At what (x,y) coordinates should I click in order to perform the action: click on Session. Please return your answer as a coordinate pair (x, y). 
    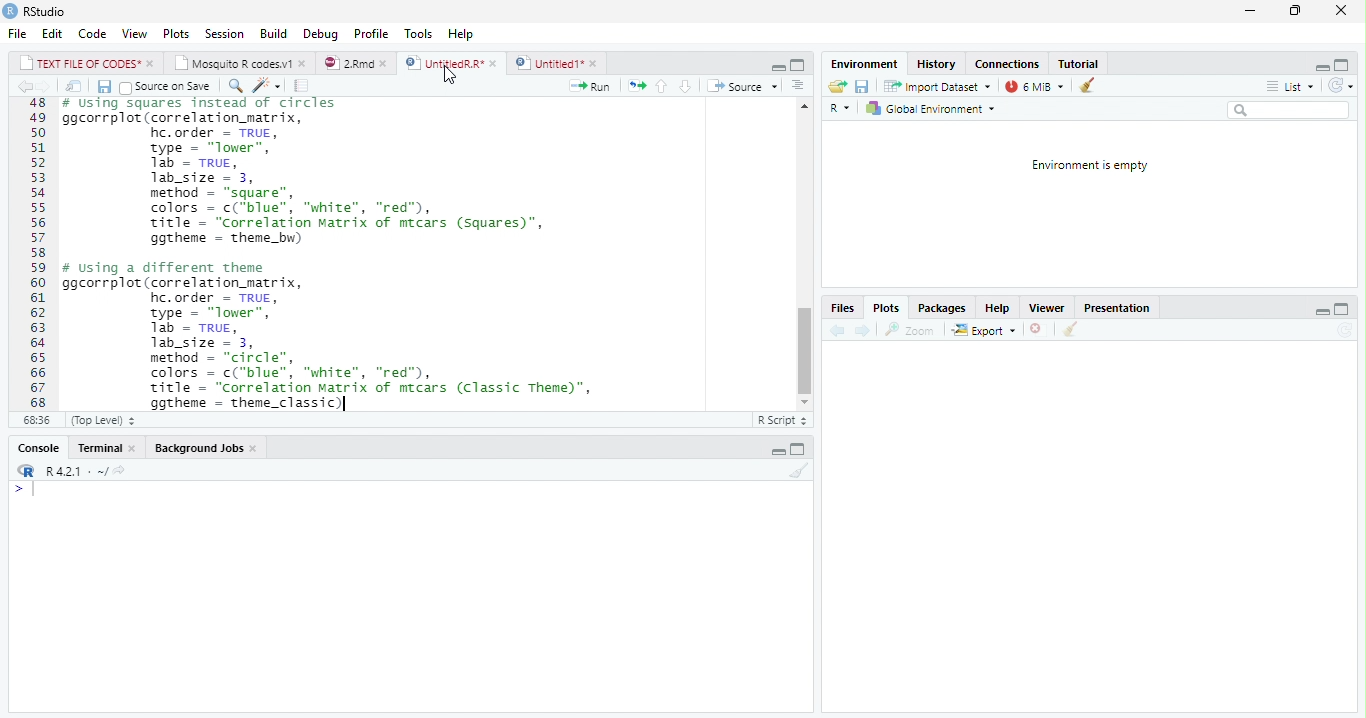
    Looking at the image, I should click on (226, 36).